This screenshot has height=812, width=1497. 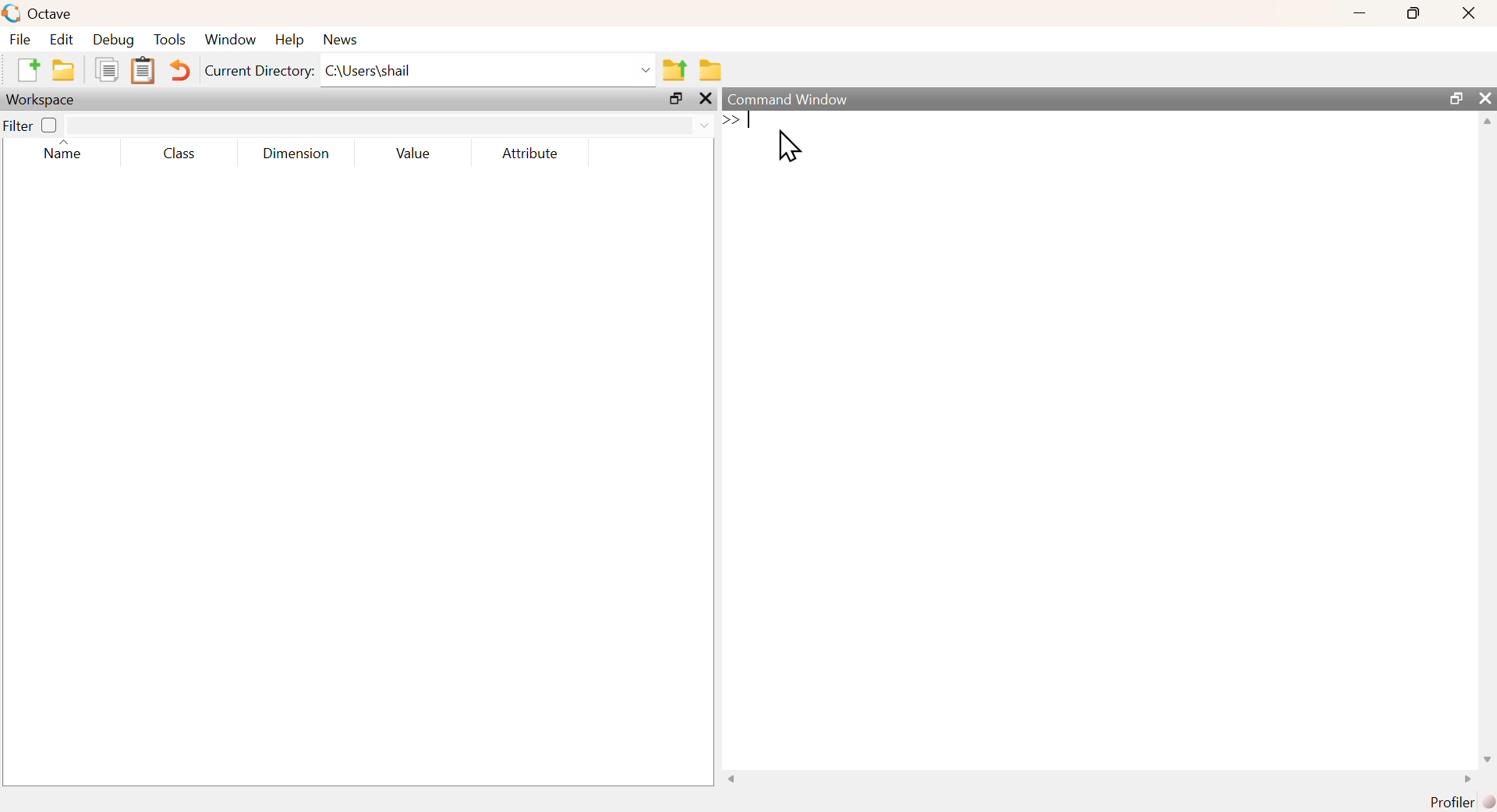 I want to click on Name, so click(x=62, y=150).